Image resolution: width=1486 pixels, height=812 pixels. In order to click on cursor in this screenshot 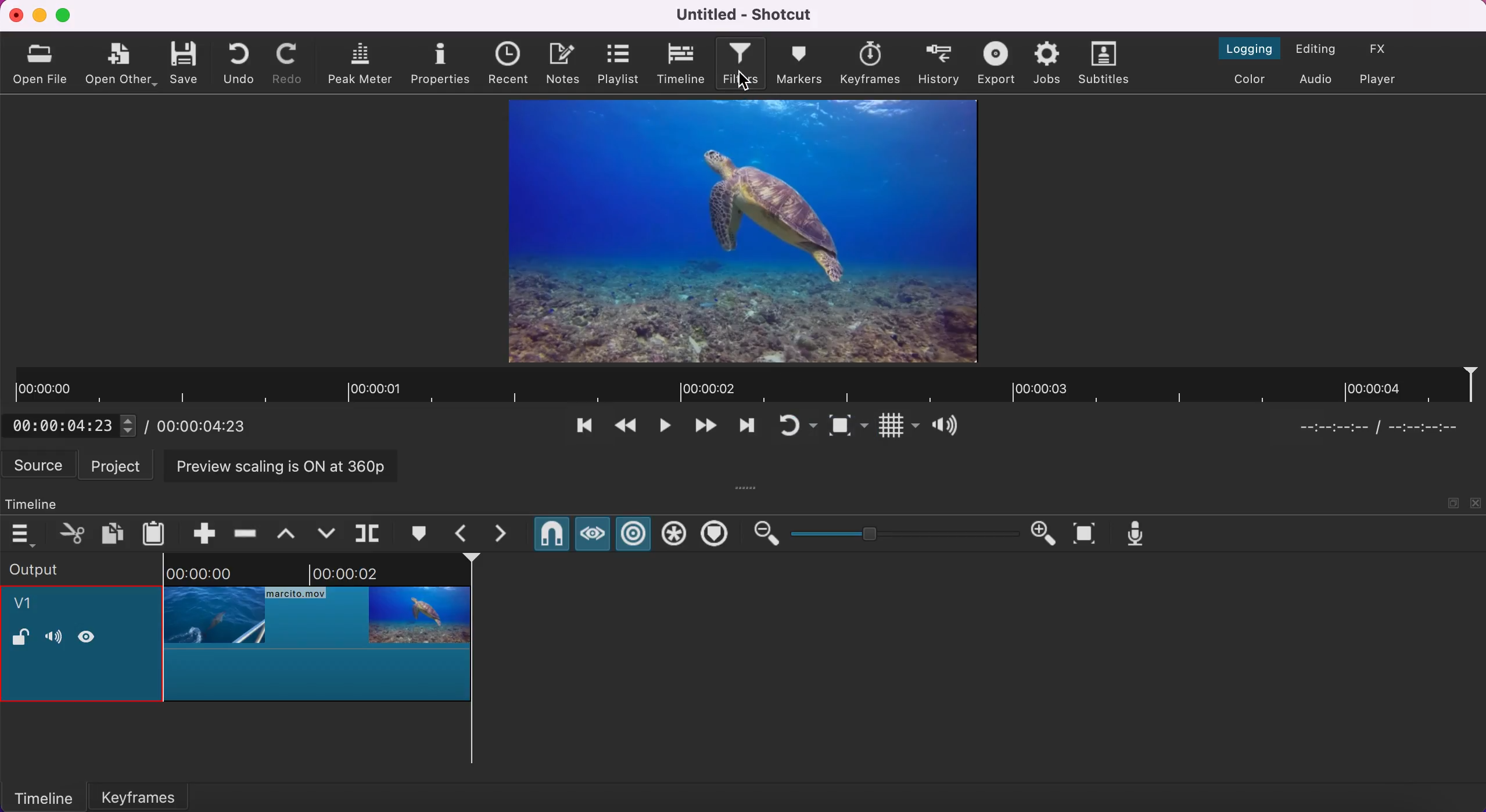, I will do `click(748, 82)`.